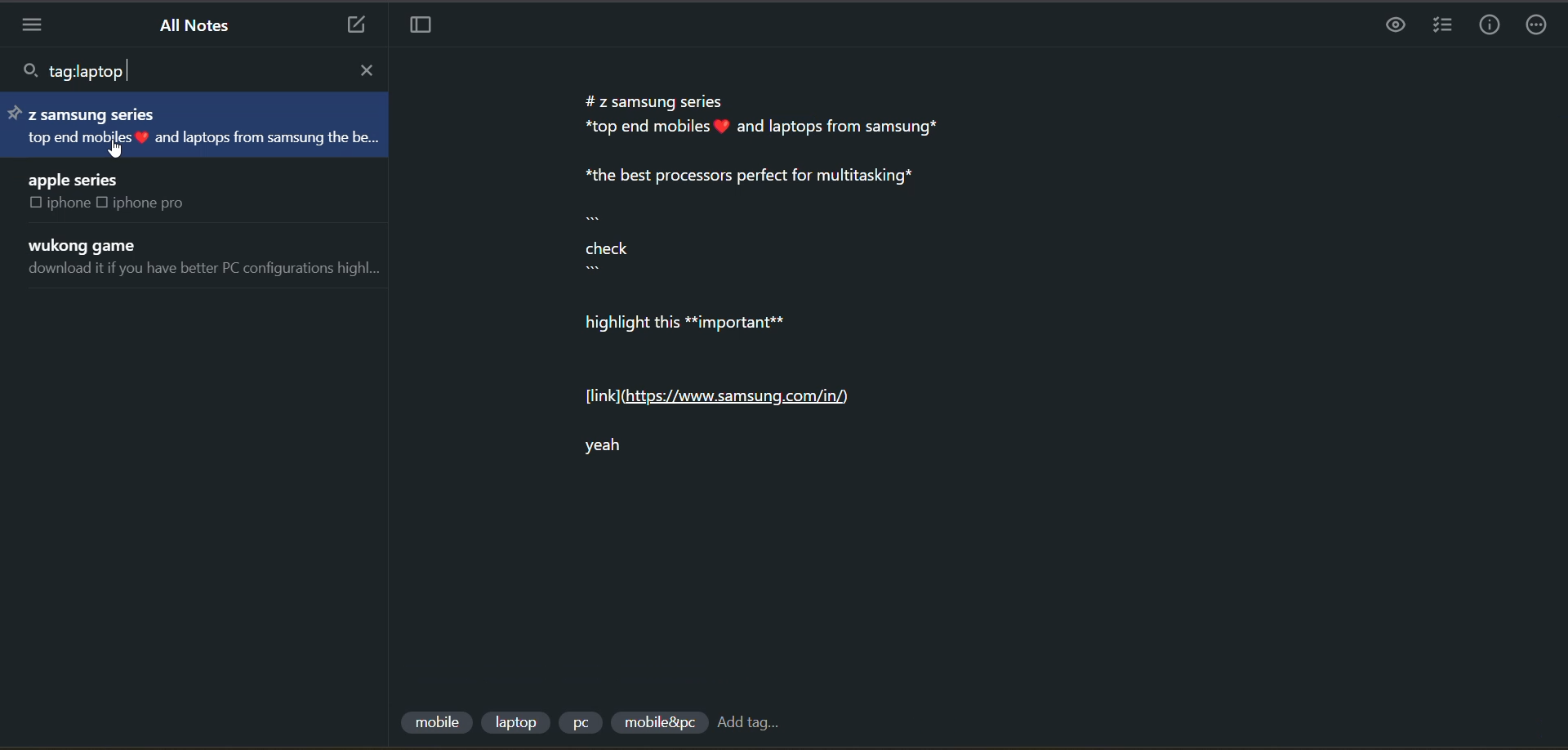 This screenshot has height=750, width=1568. What do you see at coordinates (351, 26) in the screenshot?
I see `add new note` at bounding box center [351, 26].